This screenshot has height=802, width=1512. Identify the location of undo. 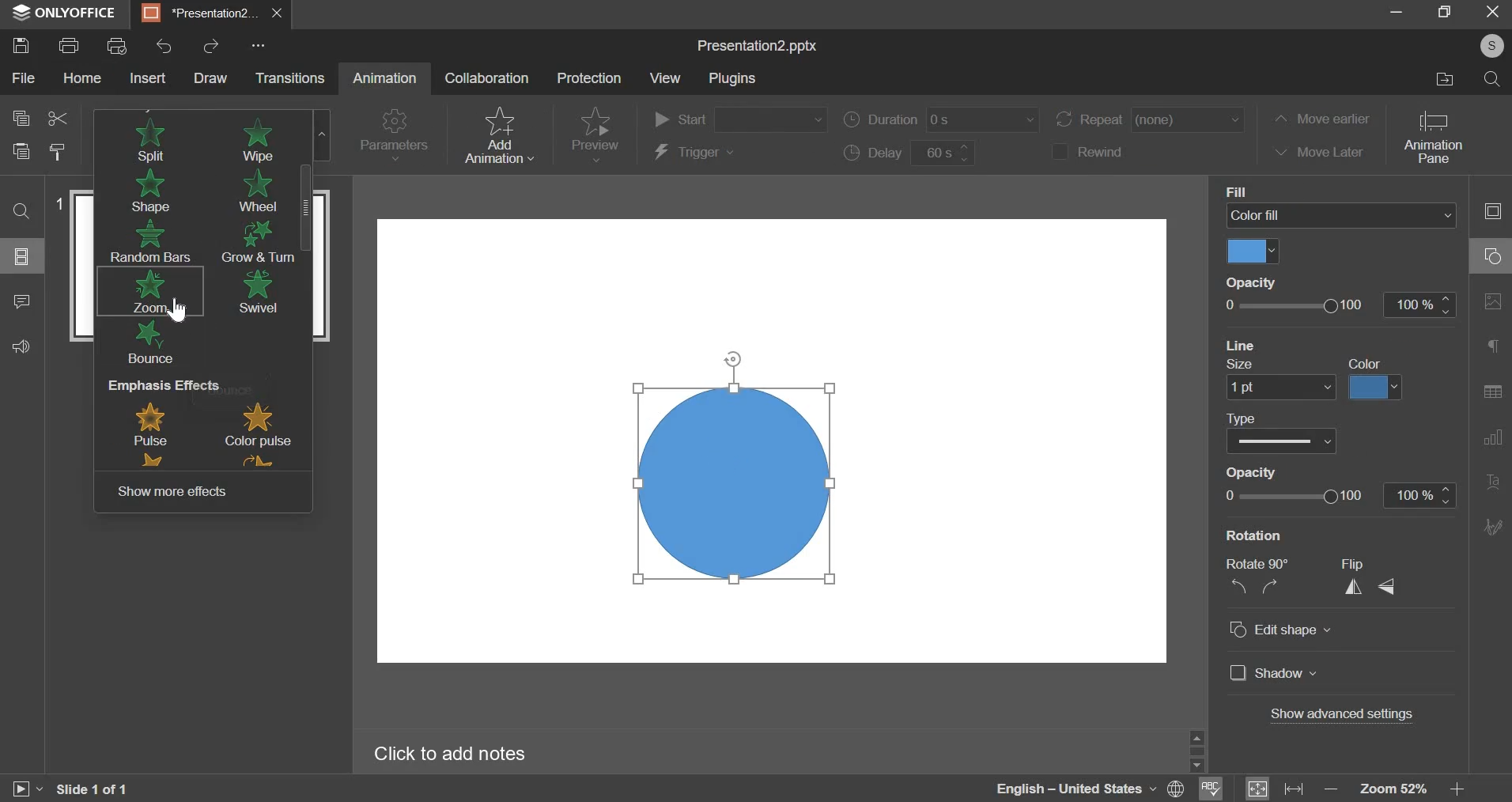
(165, 47).